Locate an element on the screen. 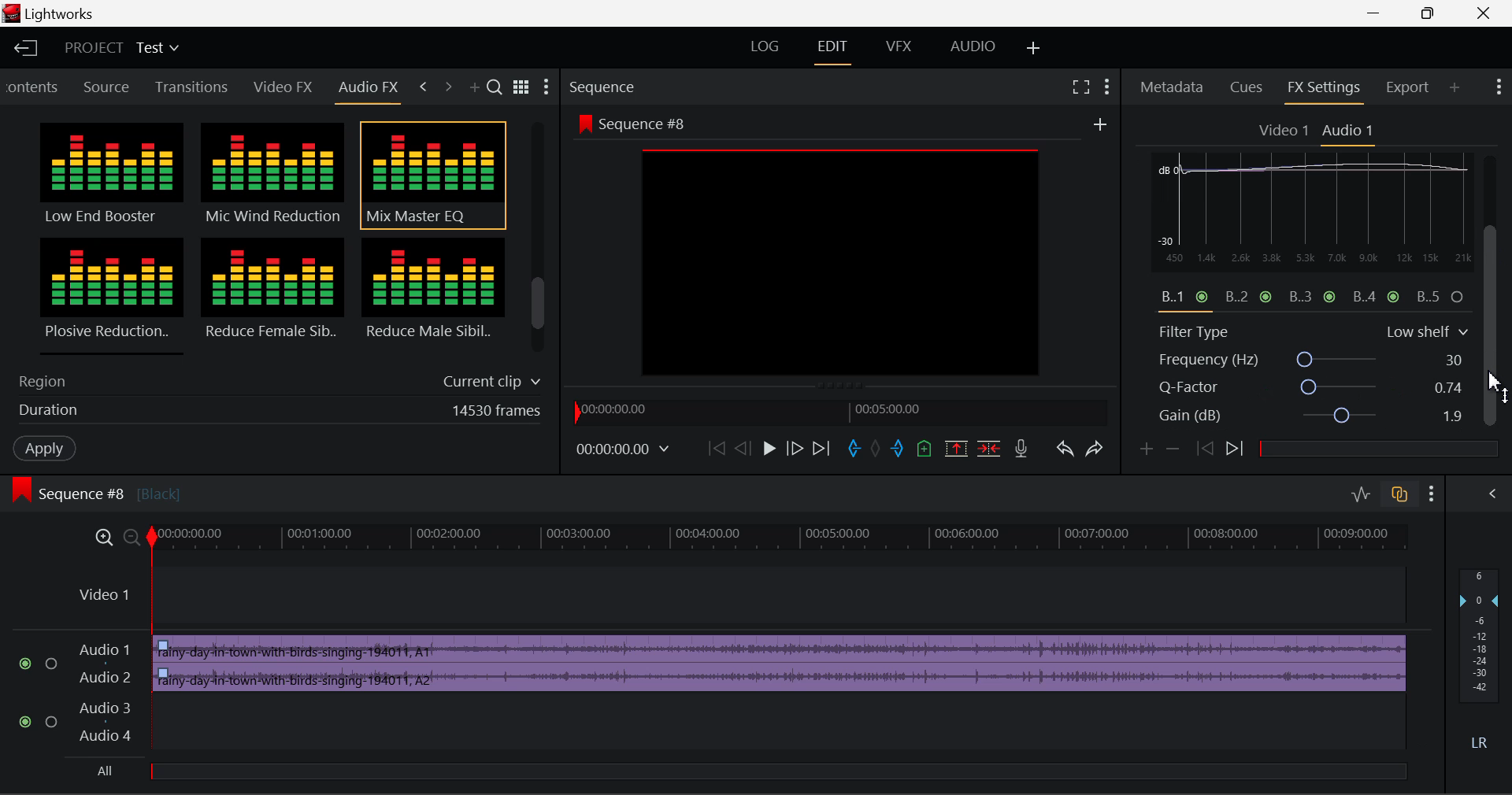 The height and width of the screenshot is (795, 1512). EQ Menu Open is located at coordinates (1167, 164).